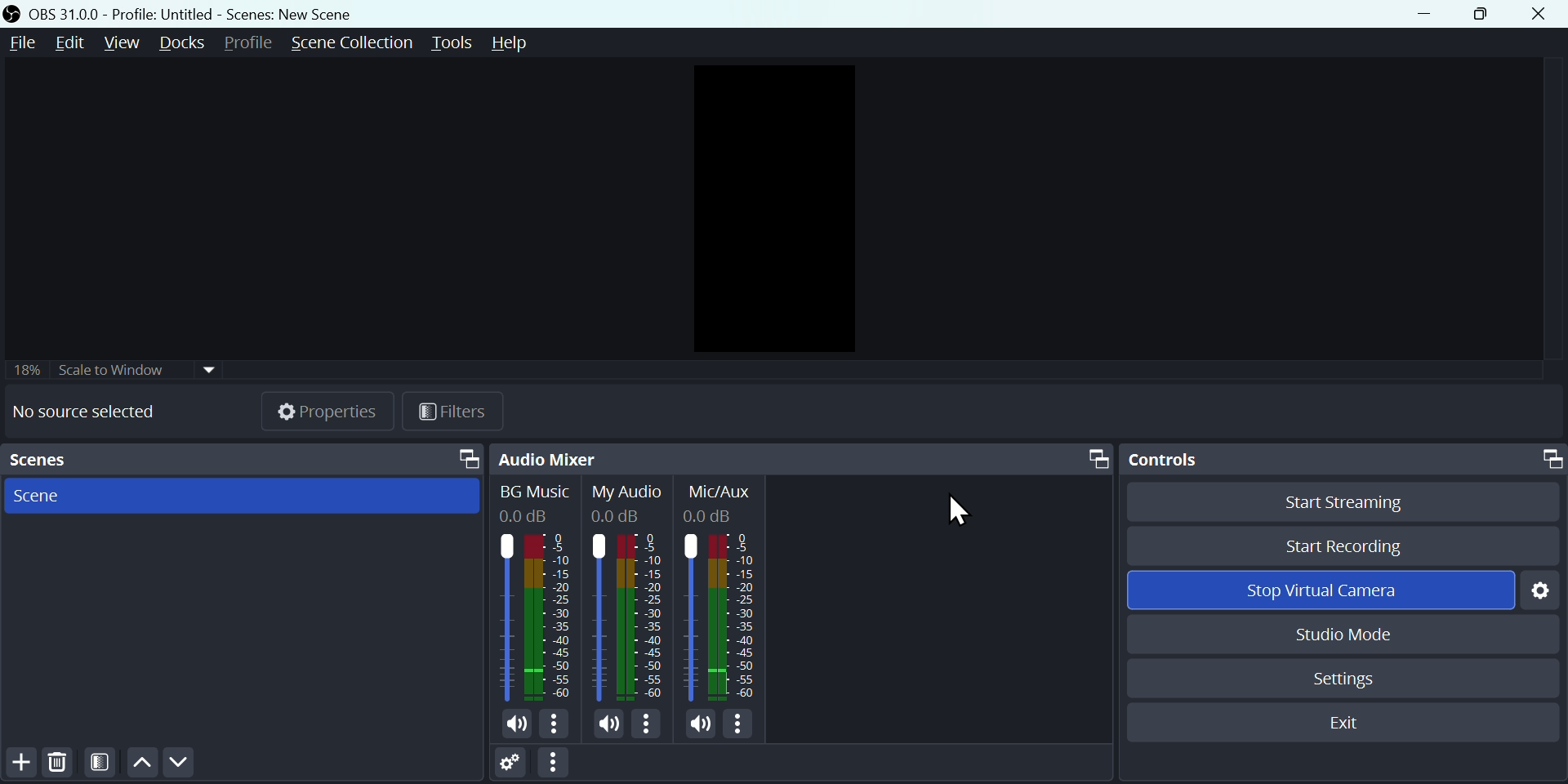  I want to click on Scale to window, so click(122, 367).